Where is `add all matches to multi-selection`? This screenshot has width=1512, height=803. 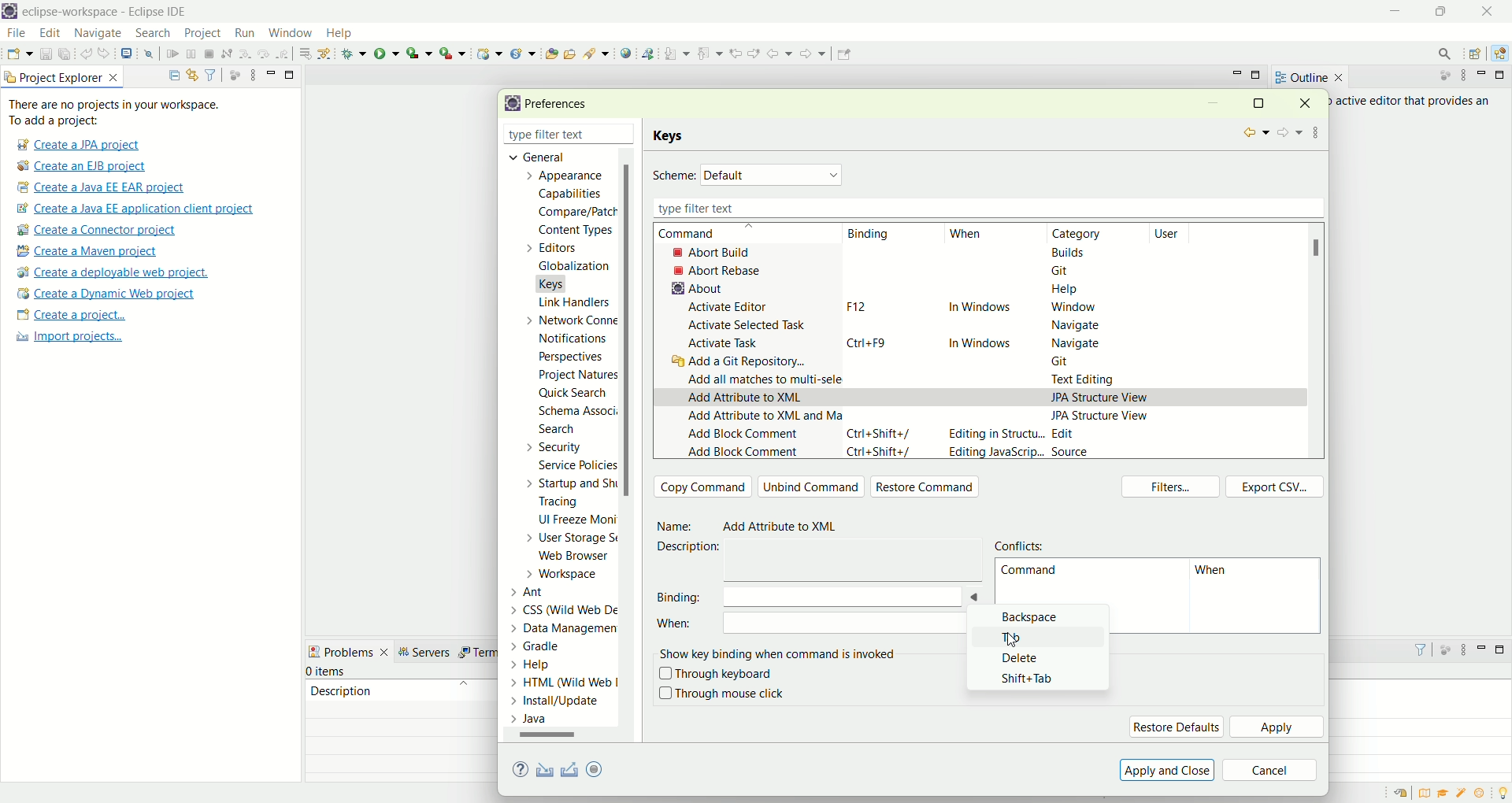 add all matches to multi-selection is located at coordinates (762, 378).